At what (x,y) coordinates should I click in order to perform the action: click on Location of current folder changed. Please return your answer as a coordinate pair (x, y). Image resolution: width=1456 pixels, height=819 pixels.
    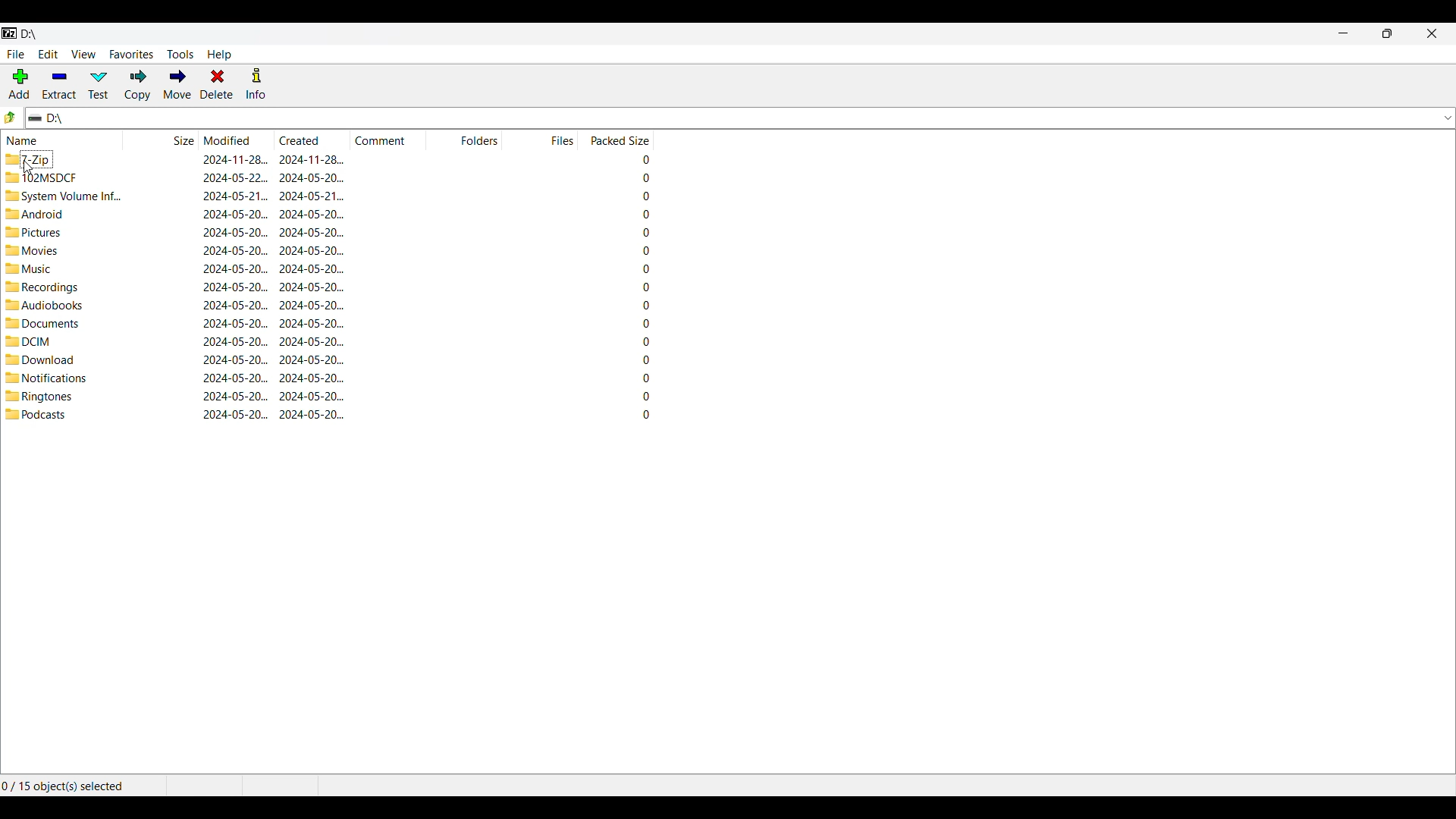
    Looking at the image, I should click on (30, 34).